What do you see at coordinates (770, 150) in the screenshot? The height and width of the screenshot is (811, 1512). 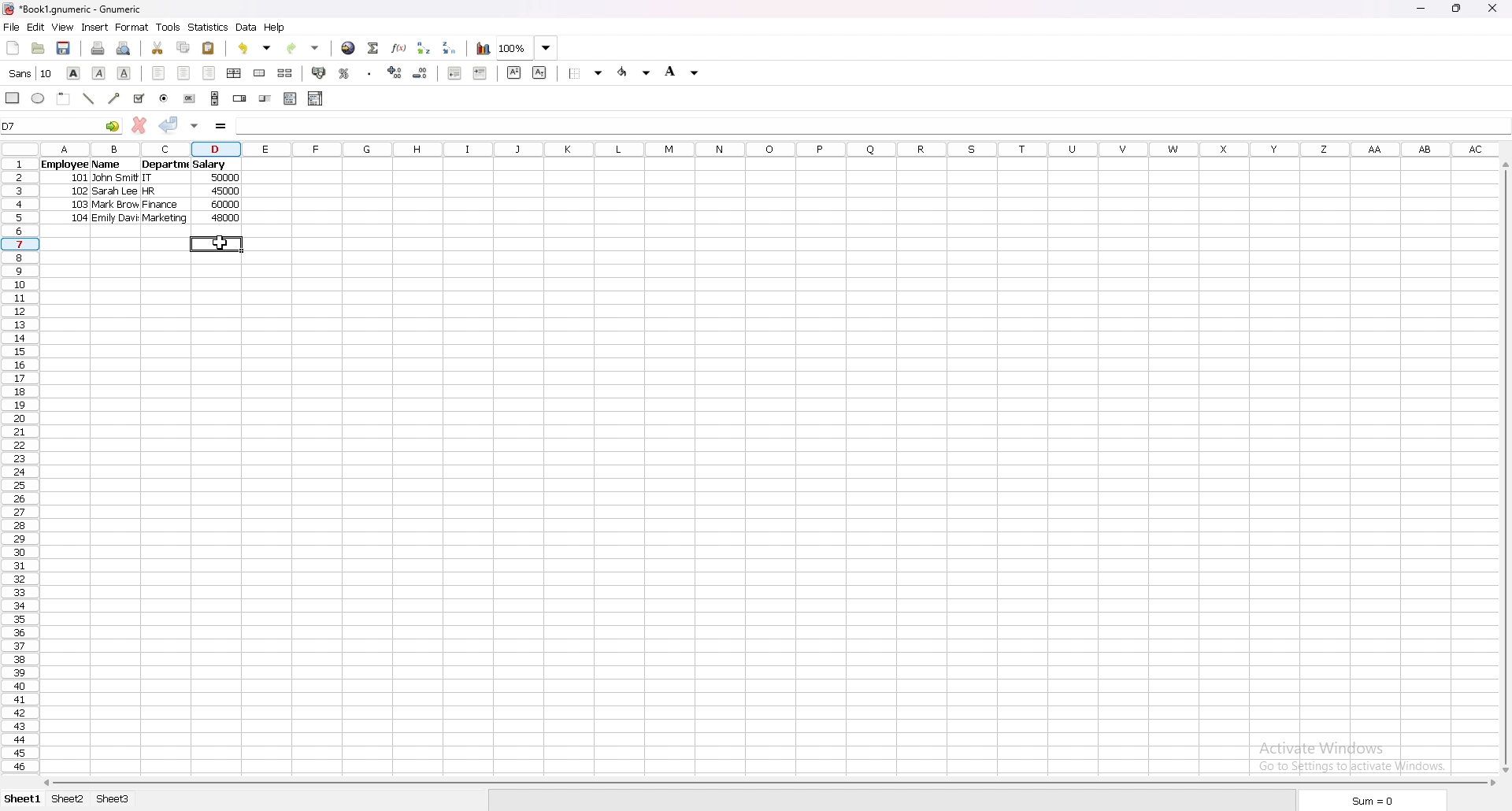 I see `column` at bounding box center [770, 150].